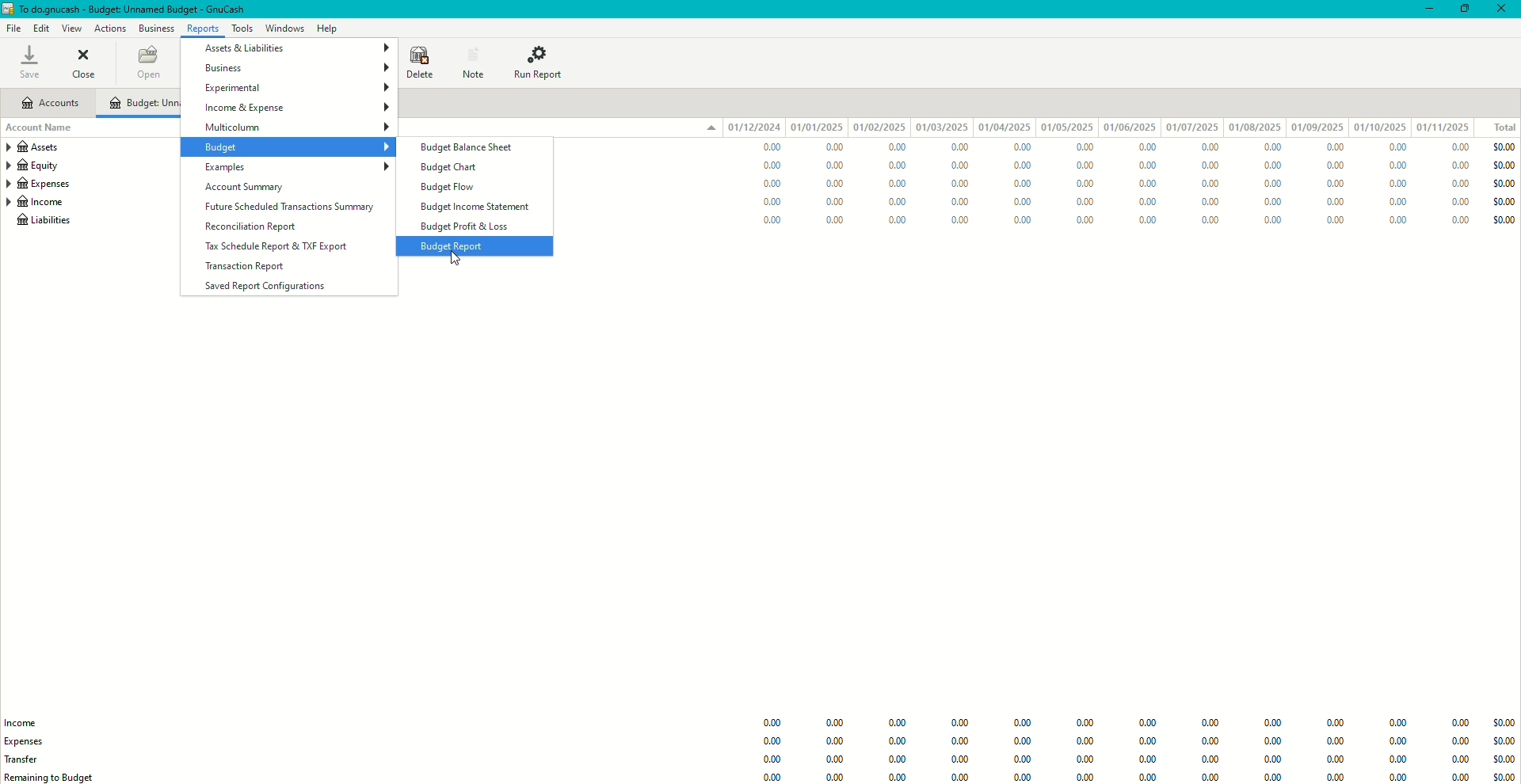 This screenshot has height=784, width=1521. I want to click on 0.00, so click(1210, 761).